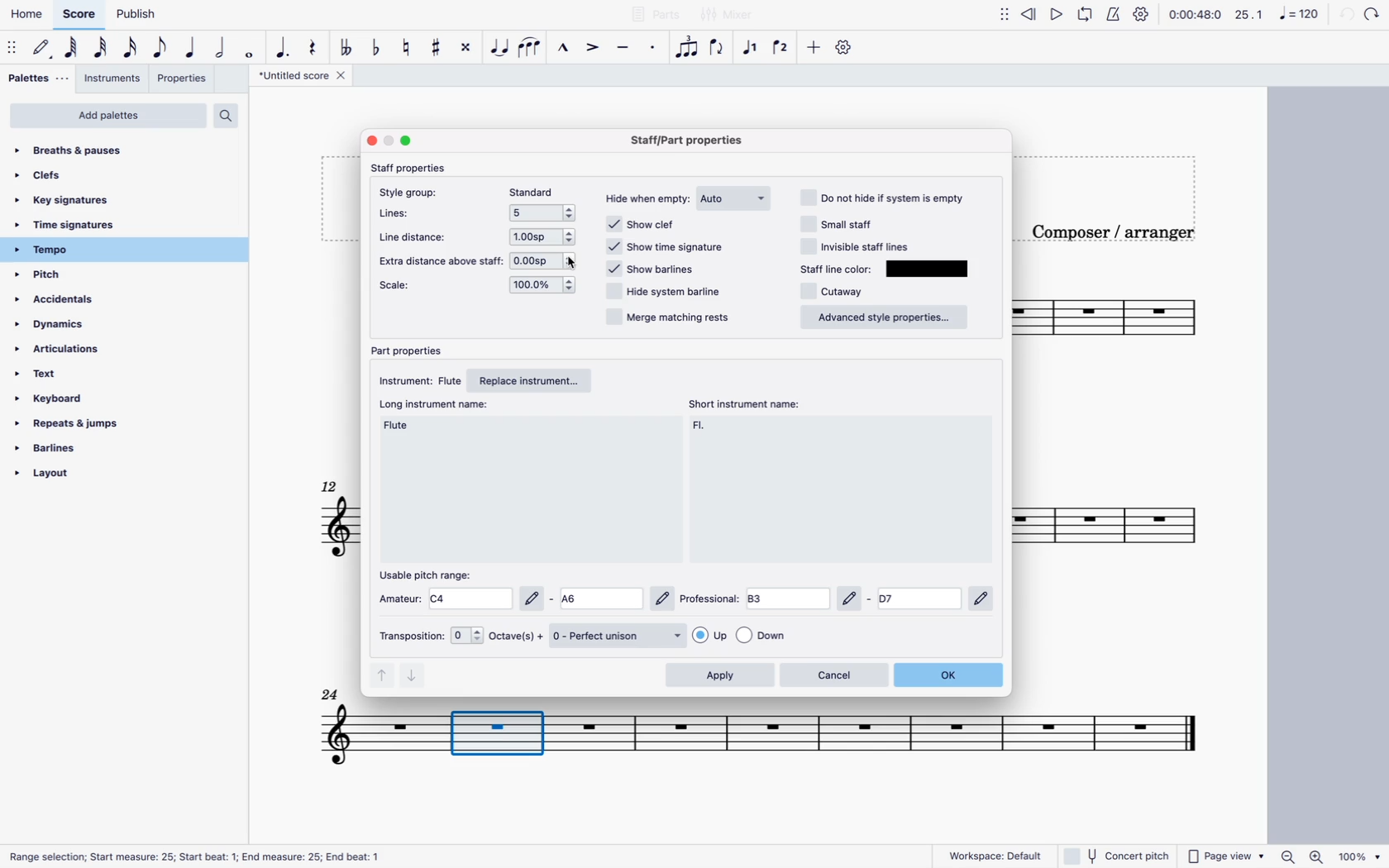  Describe the element at coordinates (666, 290) in the screenshot. I see `hide system barline` at that location.